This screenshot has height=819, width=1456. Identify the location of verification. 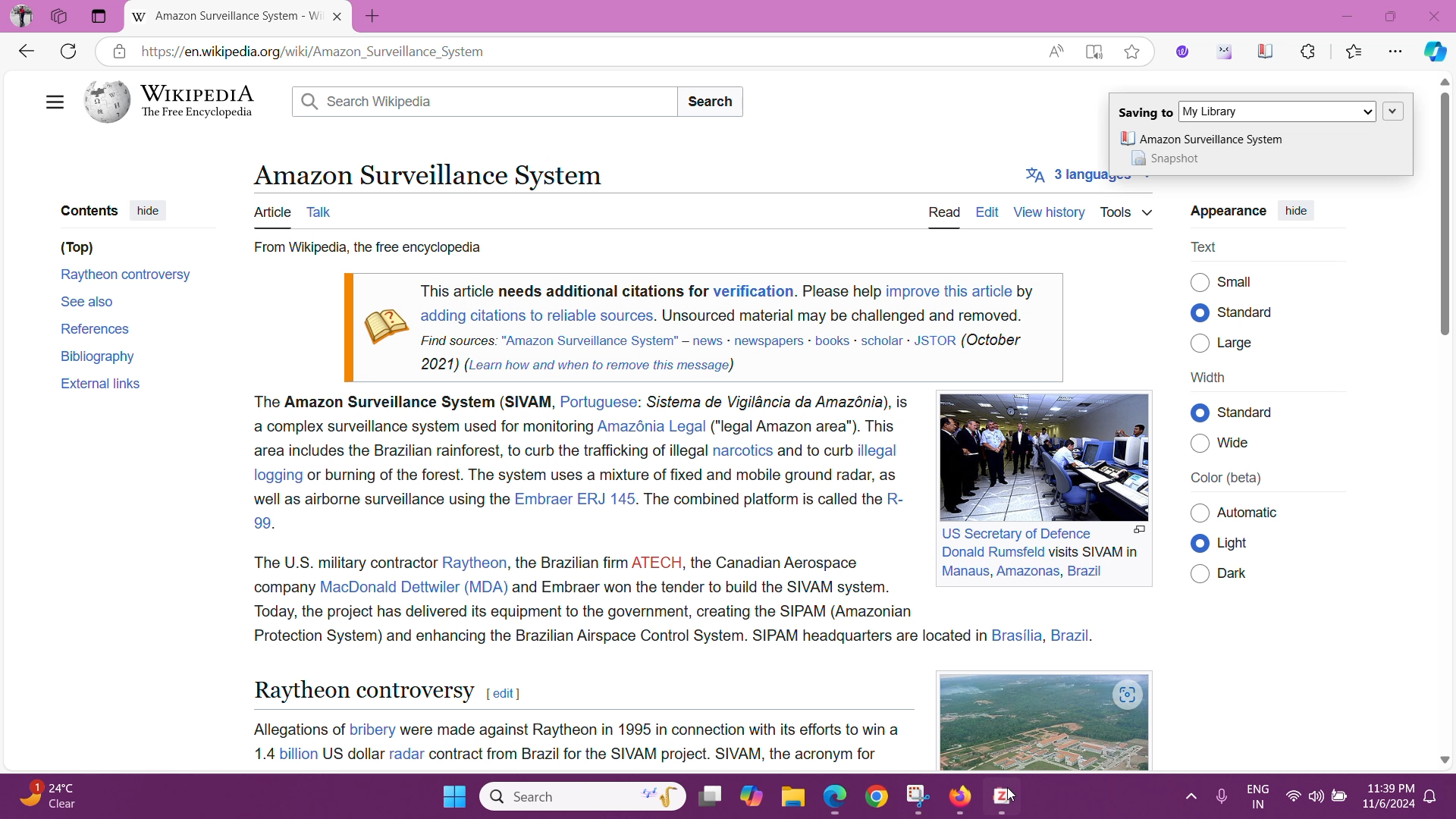
(753, 290).